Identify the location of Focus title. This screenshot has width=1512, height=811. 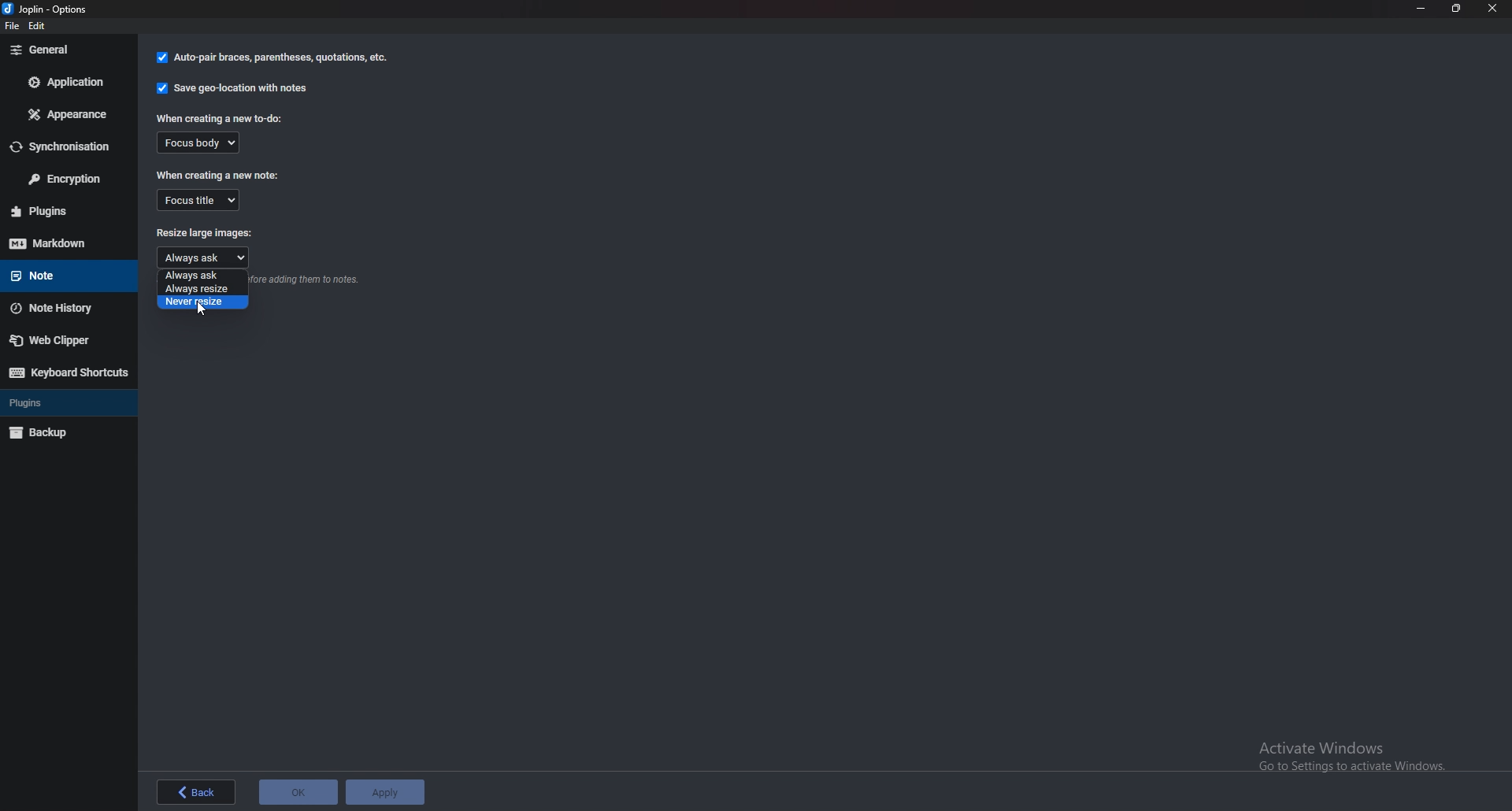
(199, 199).